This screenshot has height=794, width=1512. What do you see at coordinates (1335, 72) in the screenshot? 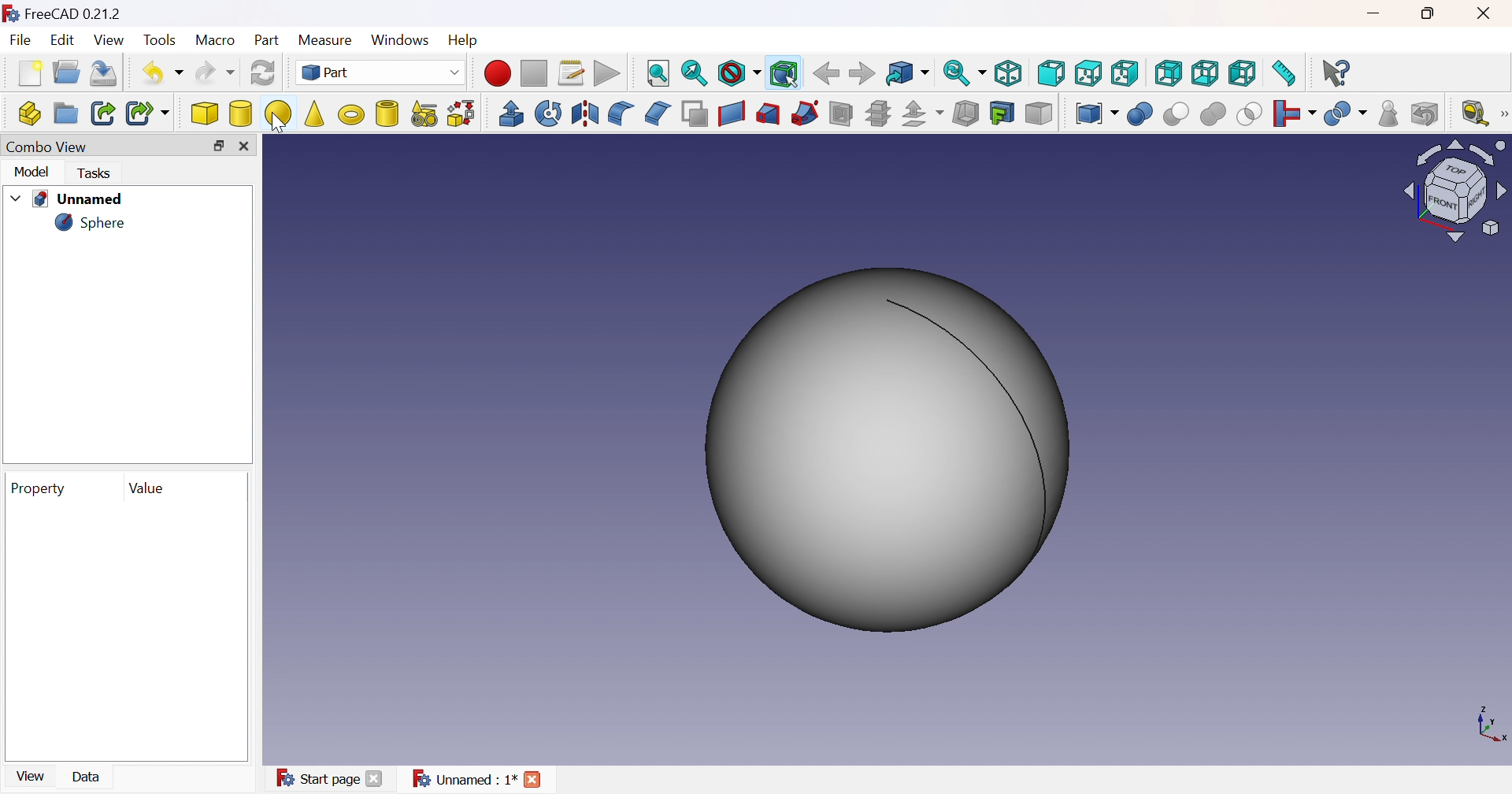
I see `What's this?` at bounding box center [1335, 72].